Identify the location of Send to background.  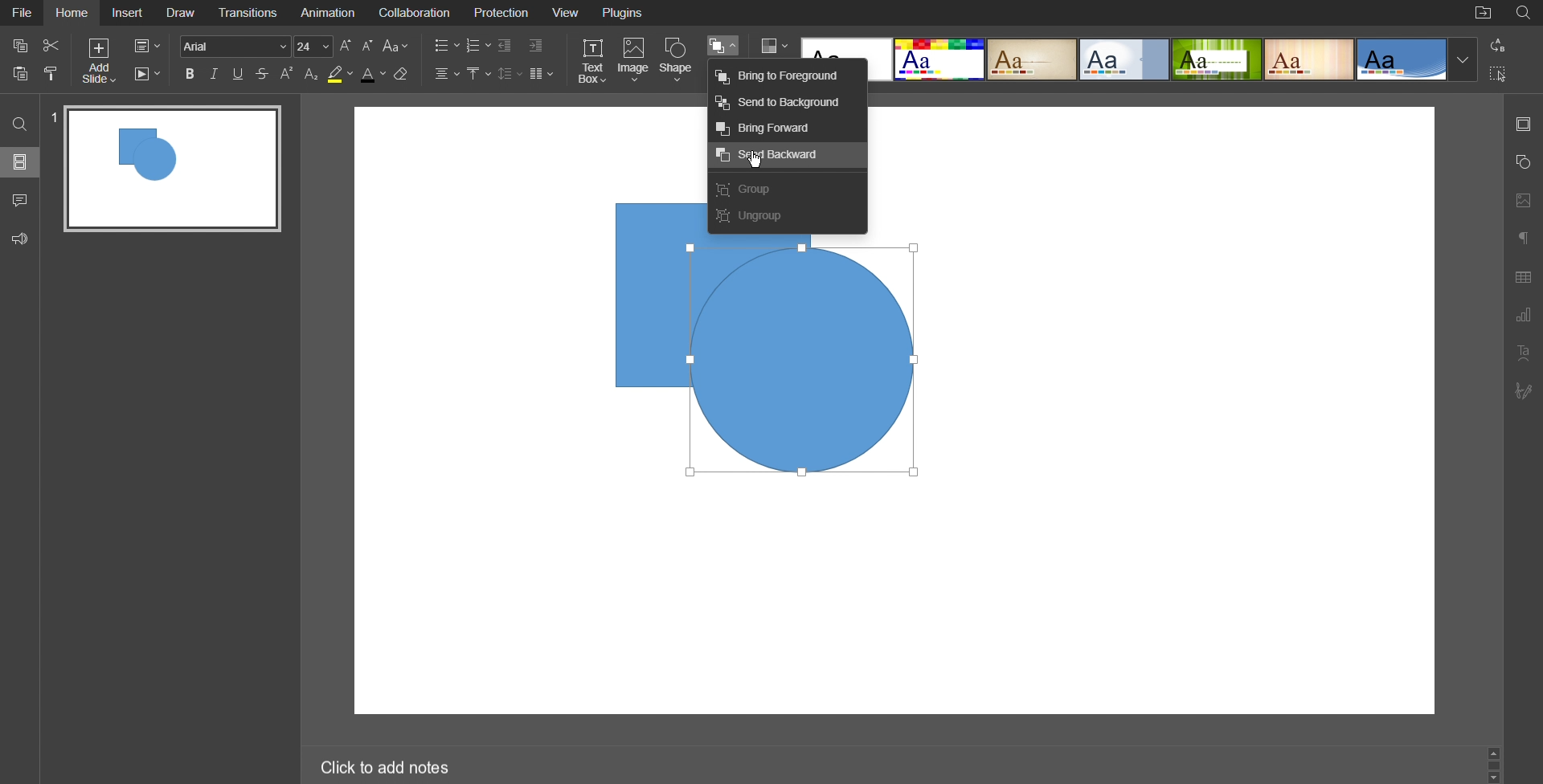
(789, 103).